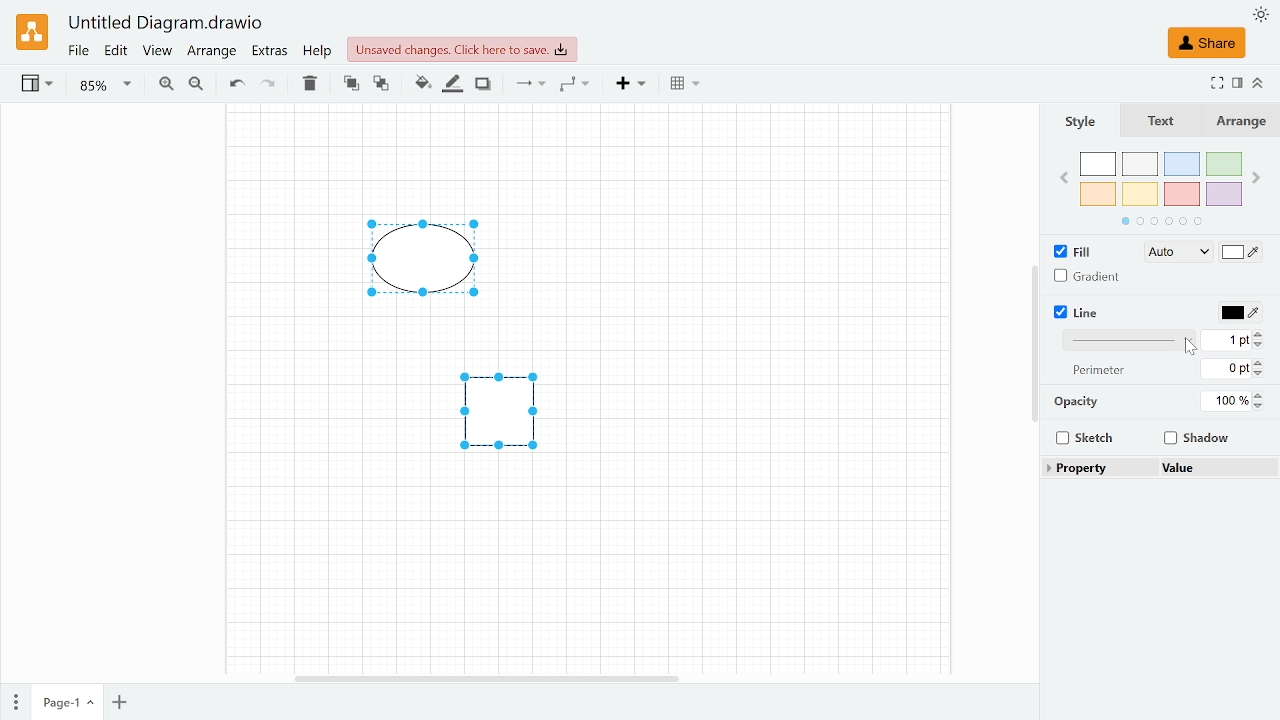 This screenshot has height=720, width=1280. What do you see at coordinates (320, 53) in the screenshot?
I see `Help` at bounding box center [320, 53].